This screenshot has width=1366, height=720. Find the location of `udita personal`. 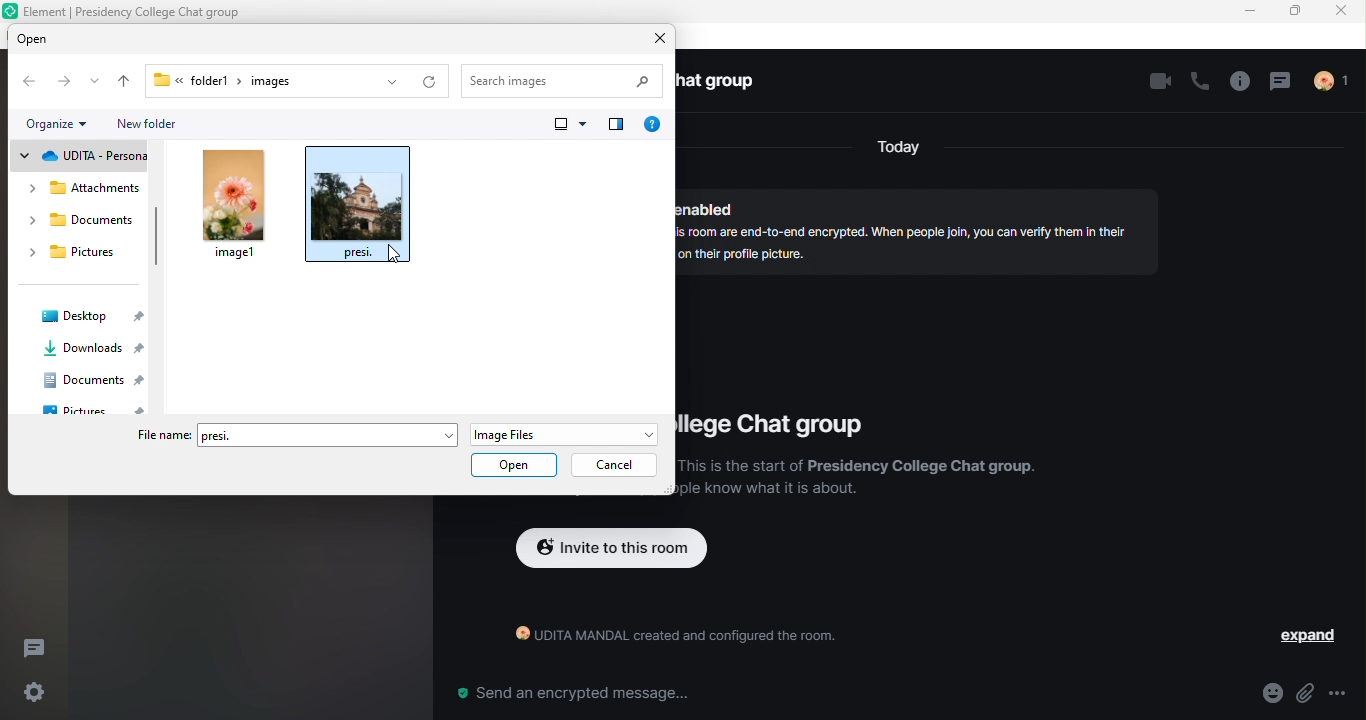

udita personal is located at coordinates (80, 157).